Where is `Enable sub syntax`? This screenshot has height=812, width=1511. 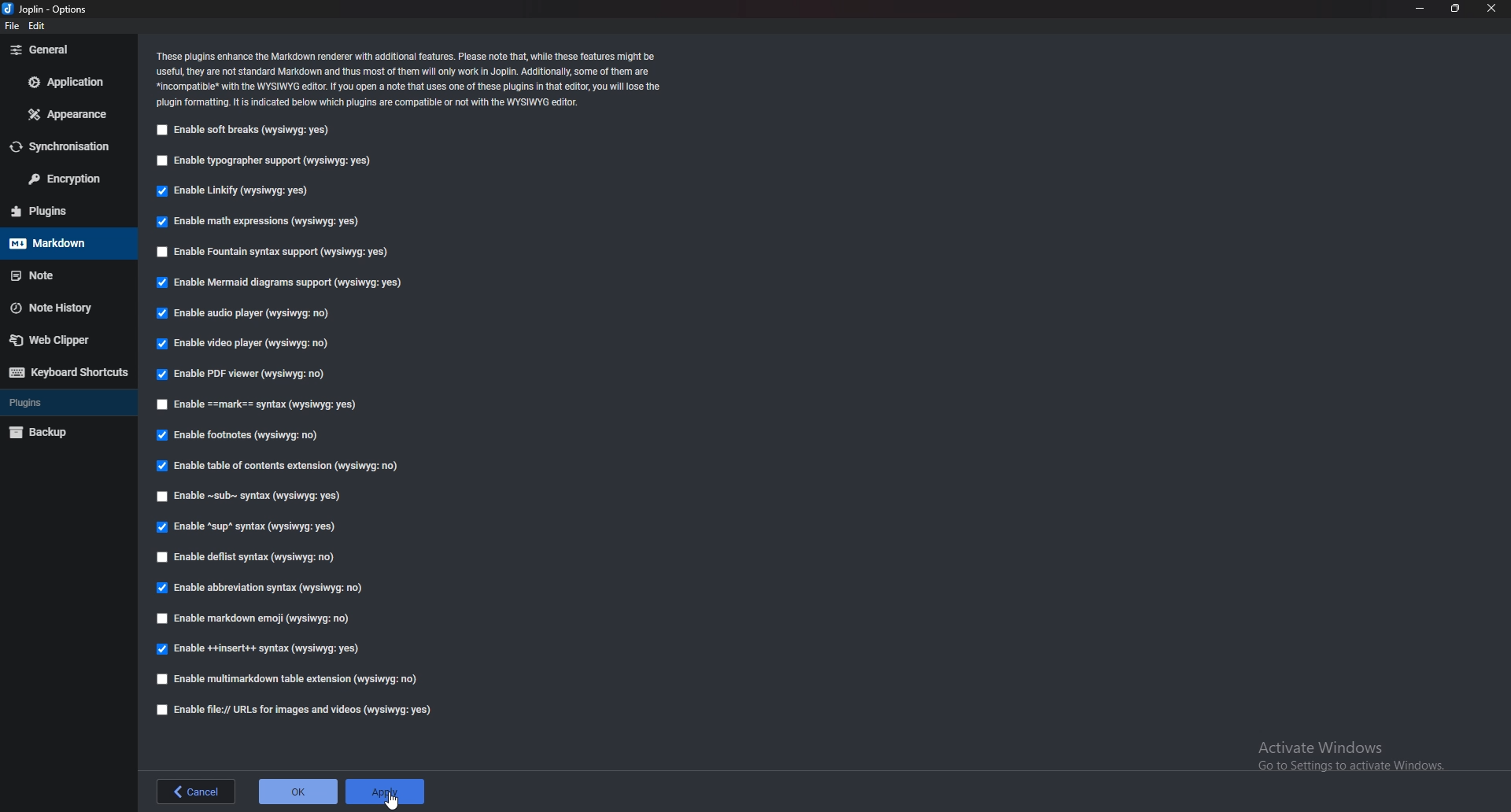 Enable sub syntax is located at coordinates (253, 498).